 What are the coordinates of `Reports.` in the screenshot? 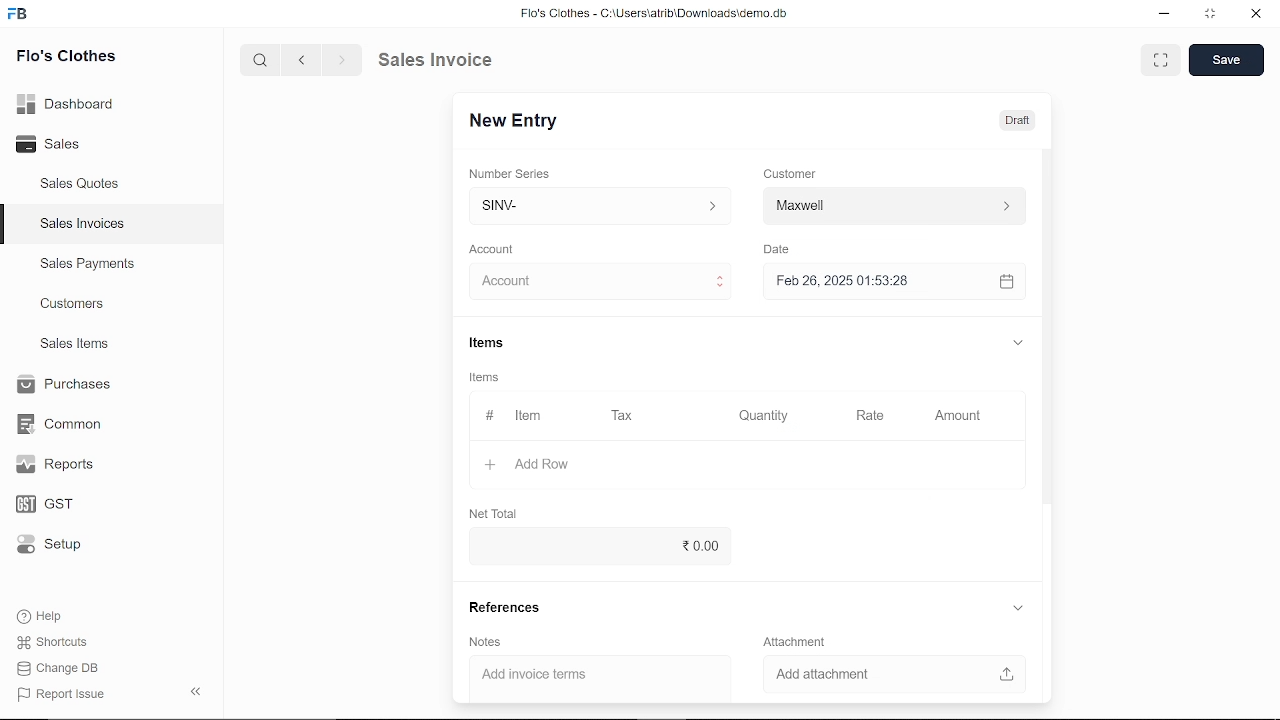 It's located at (63, 464).